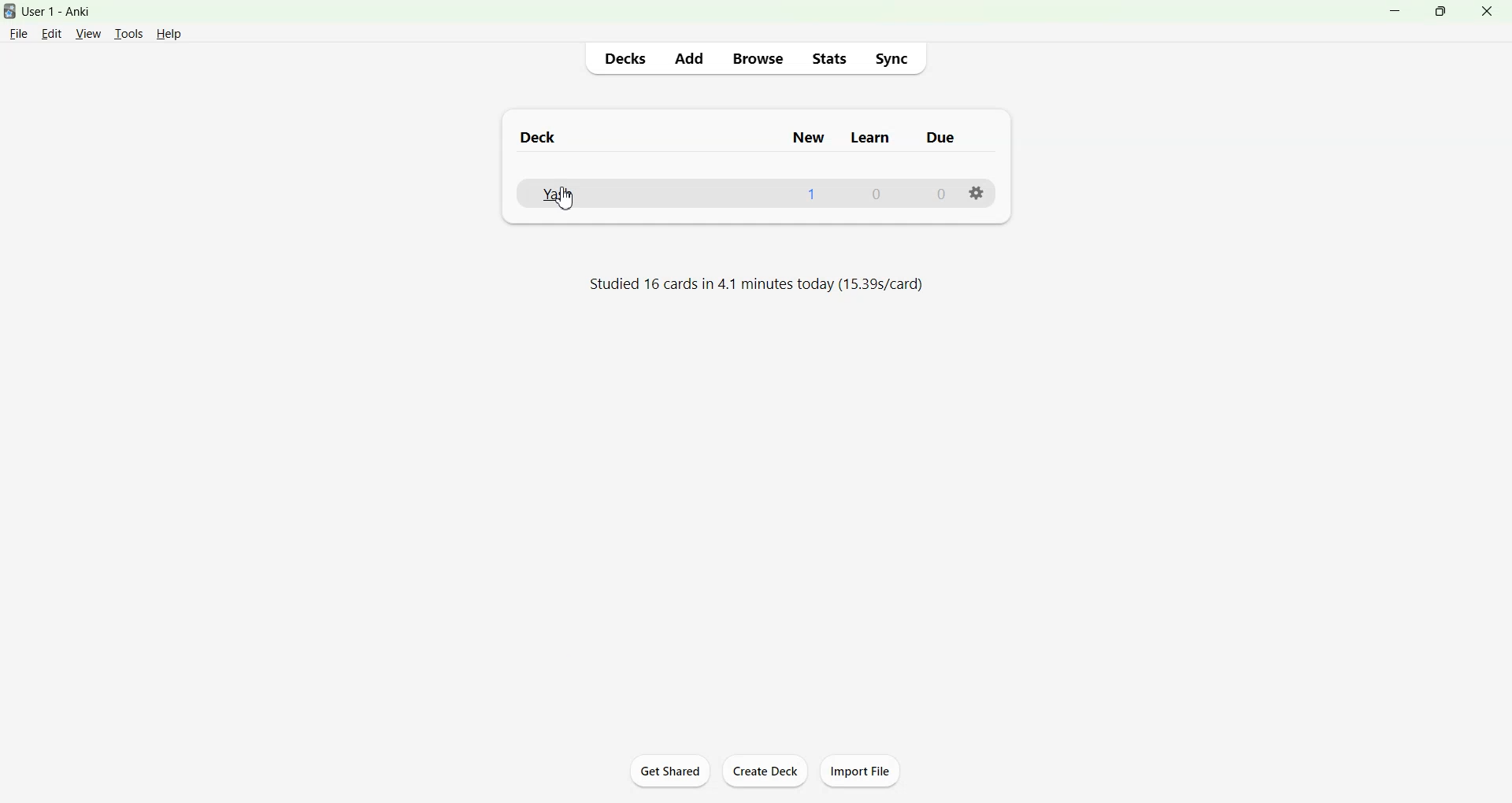 The height and width of the screenshot is (803, 1512). I want to click on Browse, so click(759, 59).